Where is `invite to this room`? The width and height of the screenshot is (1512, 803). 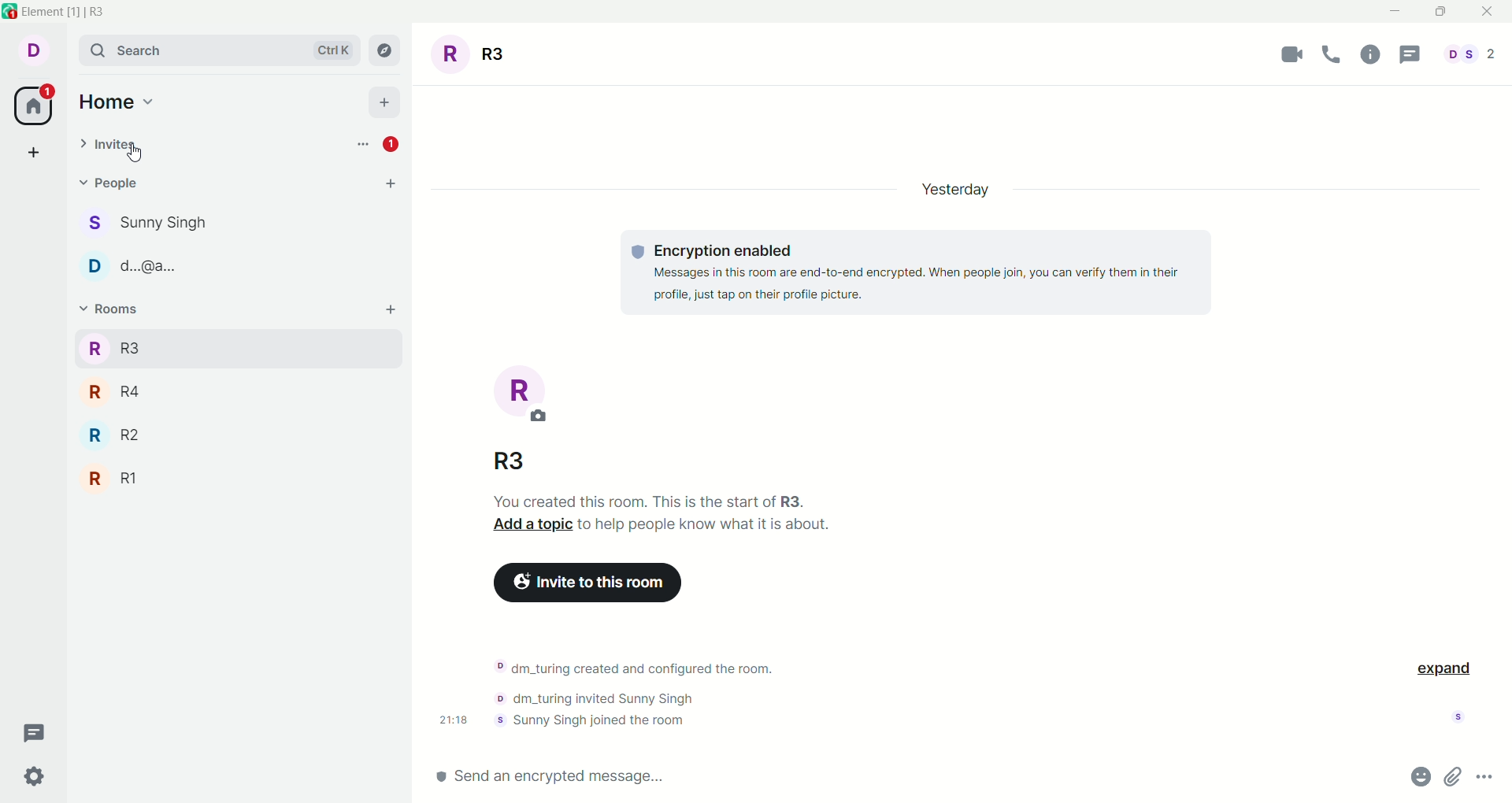 invite to this room is located at coordinates (587, 583).